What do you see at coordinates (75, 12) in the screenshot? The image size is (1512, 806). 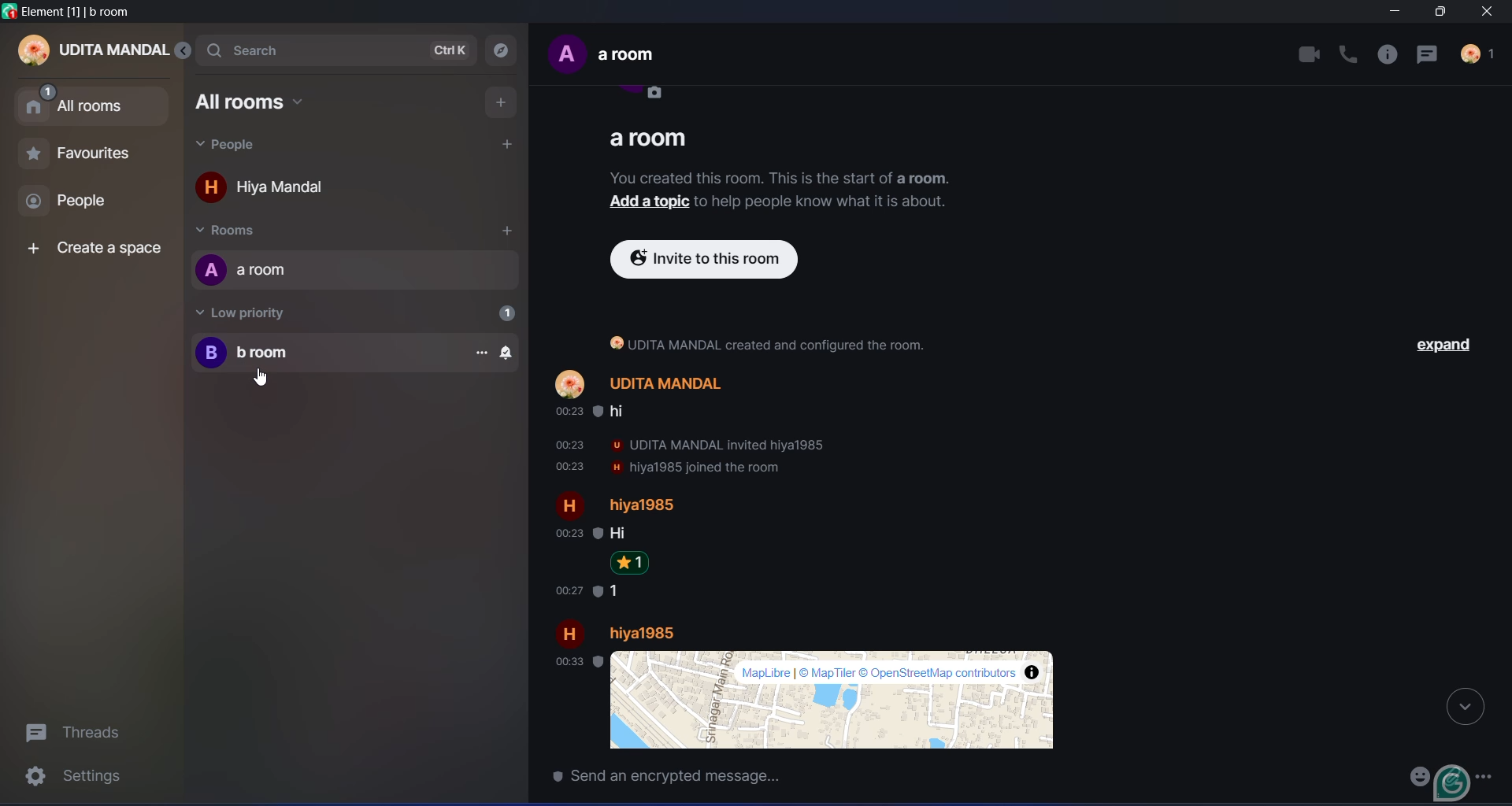 I see `Element [1] | a room` at bounding box center [75, 12].